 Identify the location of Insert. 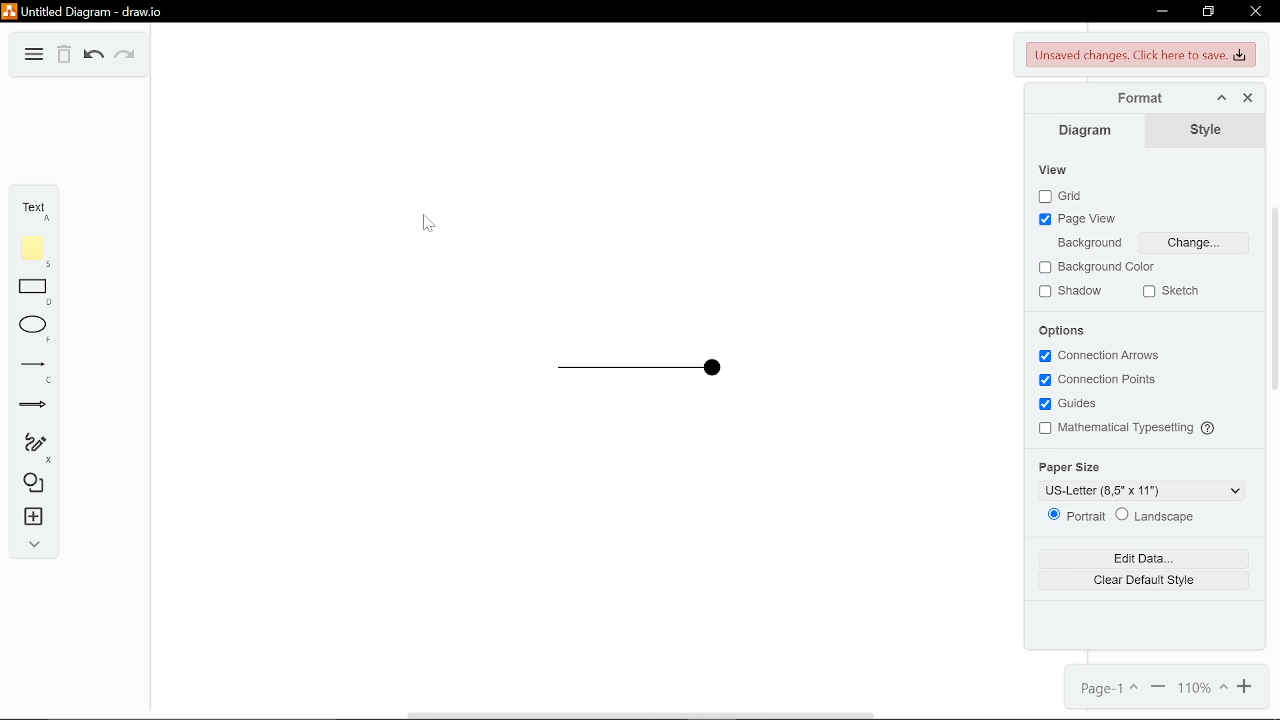
(32, 518).